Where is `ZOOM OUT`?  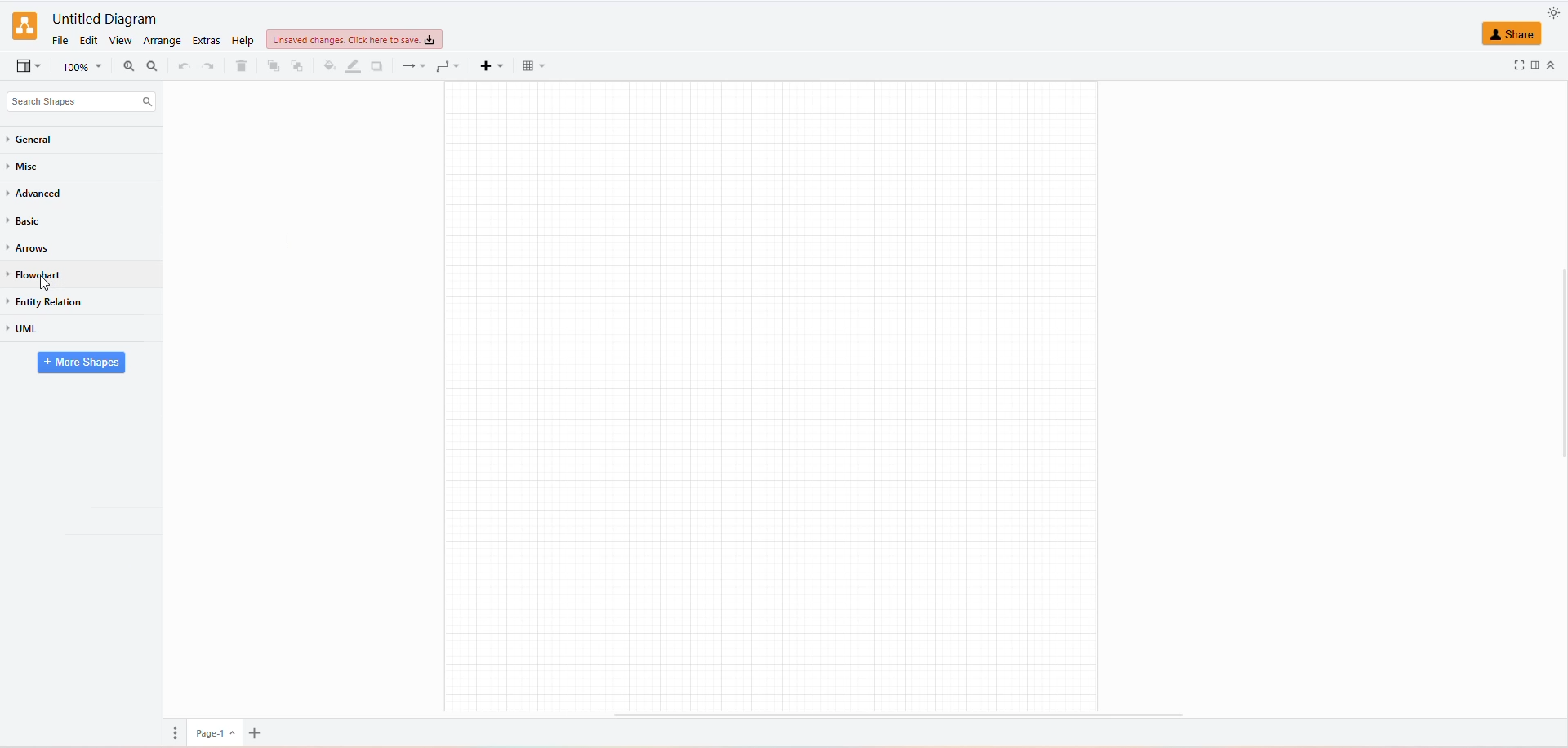
ZOOM OUT is located at coordinates (150, 65).